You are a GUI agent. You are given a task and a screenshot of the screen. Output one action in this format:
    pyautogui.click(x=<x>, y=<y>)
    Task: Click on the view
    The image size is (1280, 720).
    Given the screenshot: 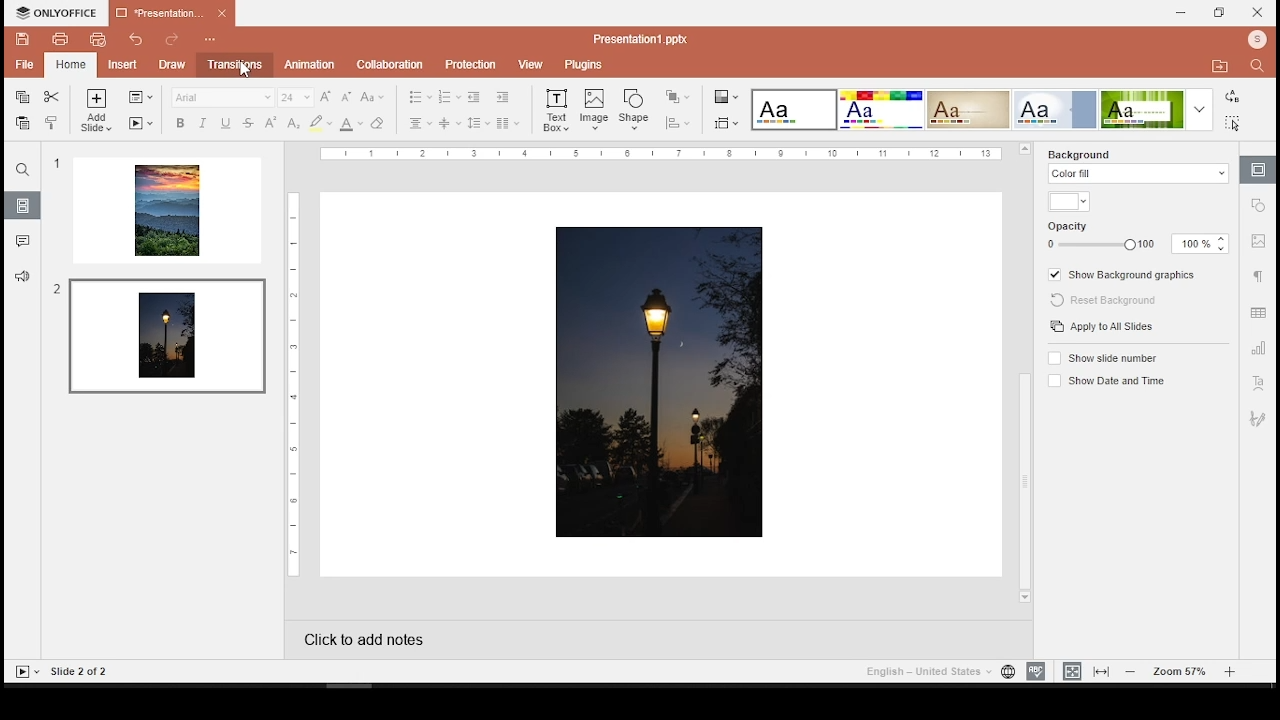 What is the action you would take?
    pyautogui.click(x=529, y=63)
    